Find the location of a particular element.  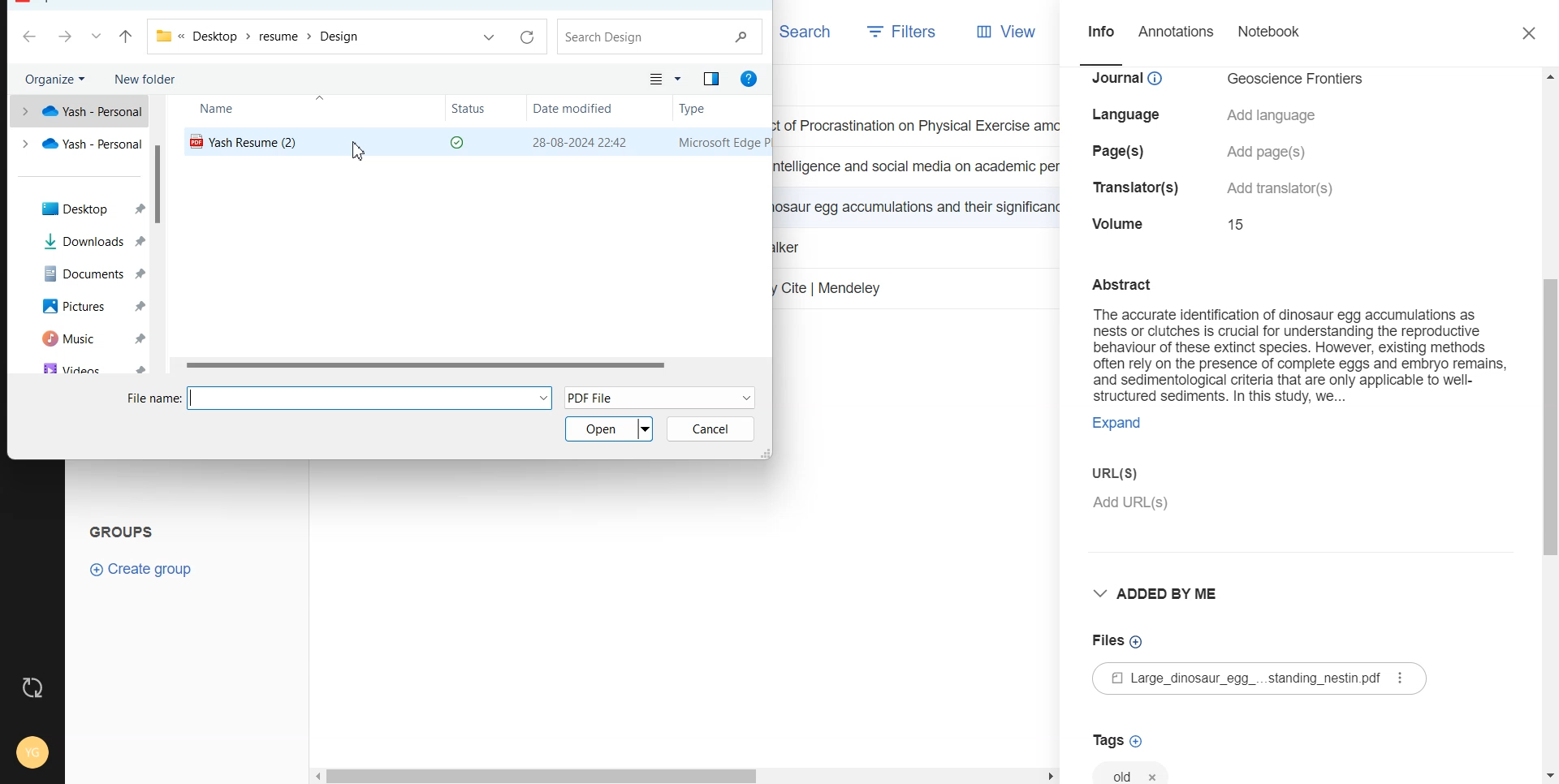

File is located at coordinates (473, 364).